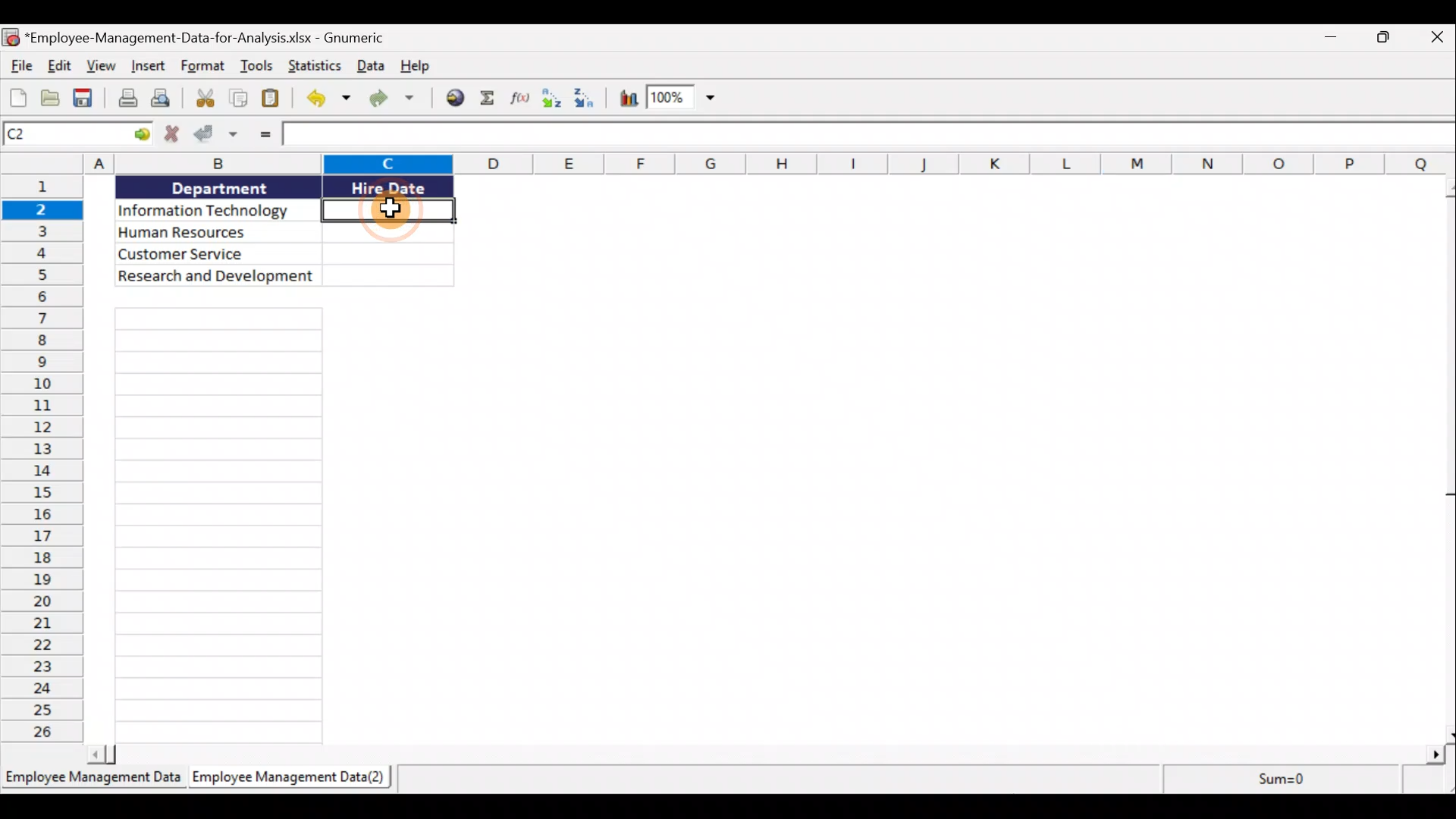 The width and height of the screenshot is (1456, 819). What do you see at coordinates (525, 99) in the screenshot?
I see `Edit a function in the current cell` at bounding box center [525, 99].